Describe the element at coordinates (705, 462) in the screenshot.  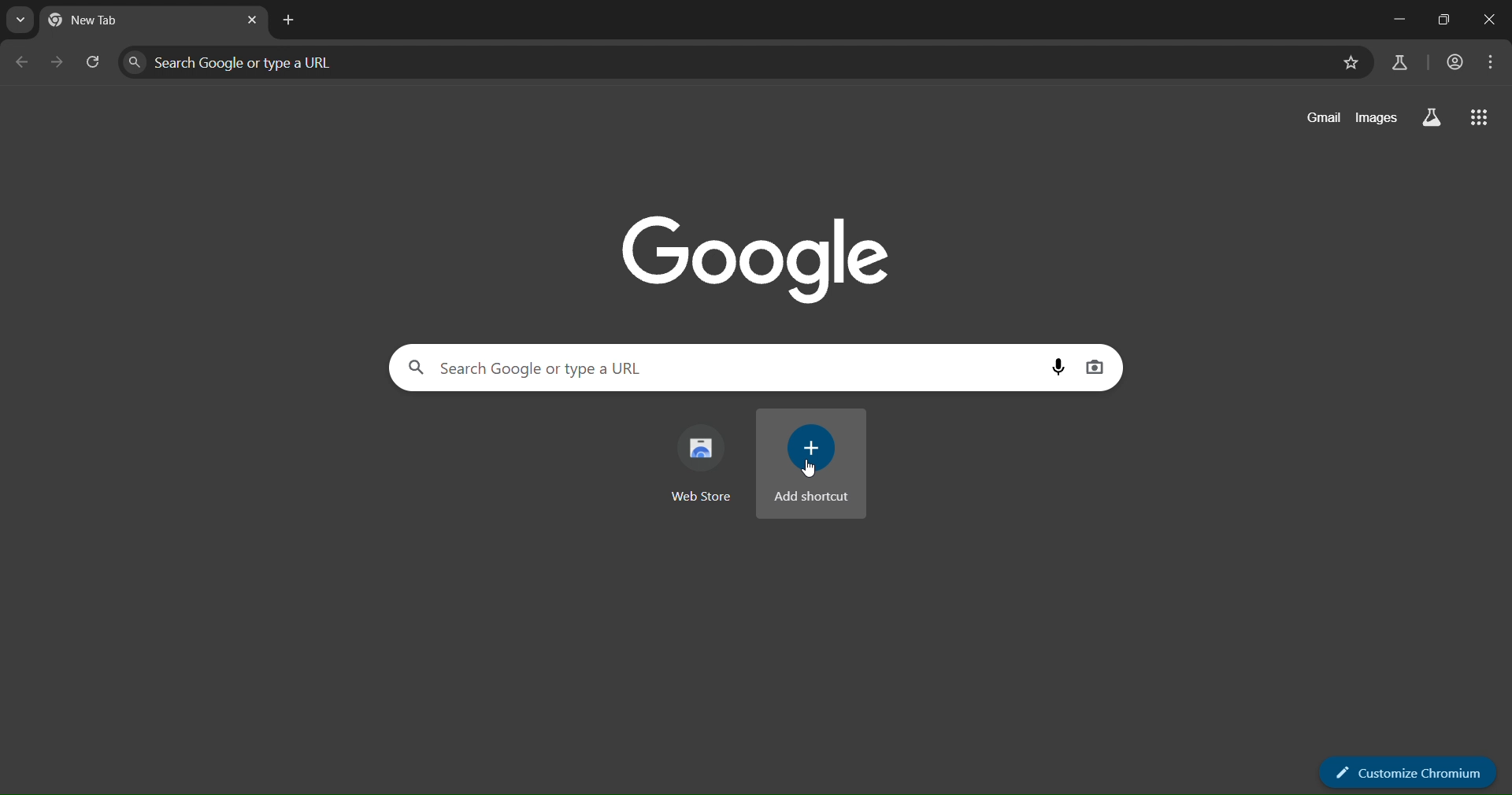
I see `web store` at that location.